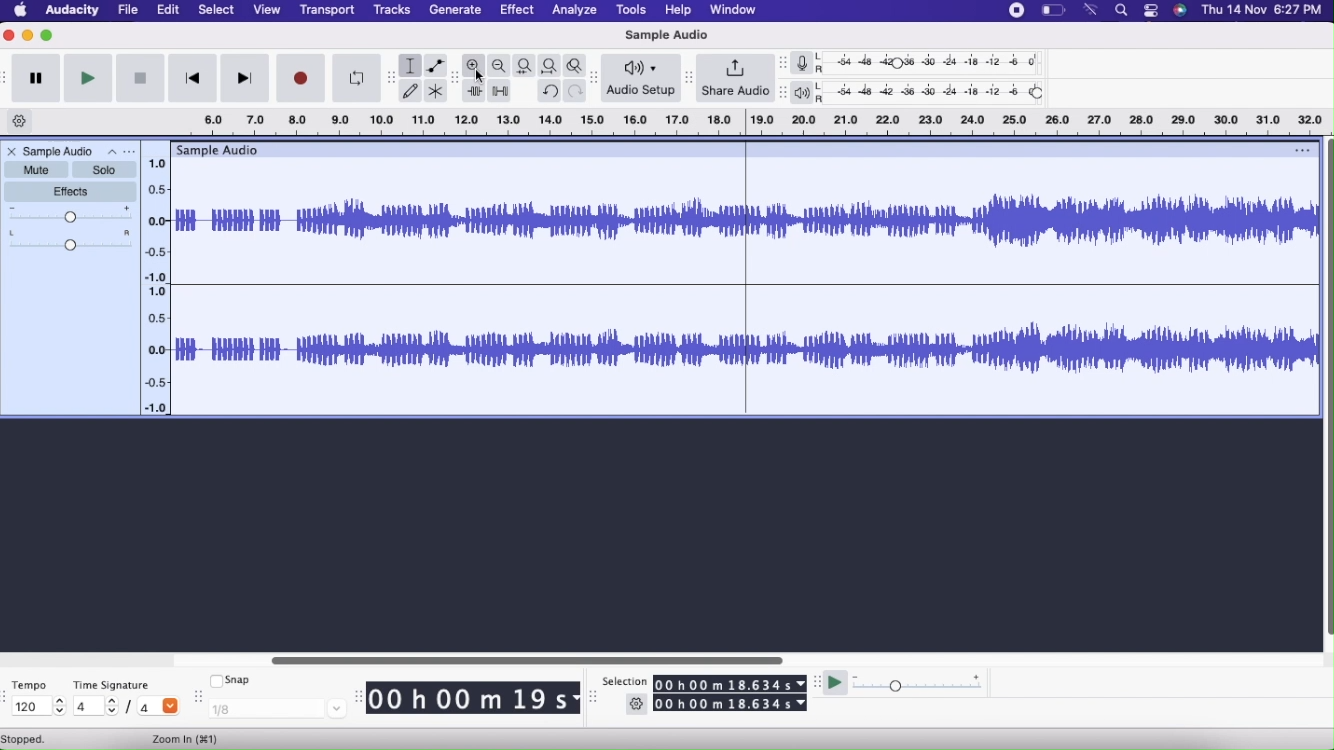 The width and height of the screenshot is (1334, 750). What do you see at coordinates (188, 739) in the screenshot?
I see `Zoom In` at bounding box center [188, 739].